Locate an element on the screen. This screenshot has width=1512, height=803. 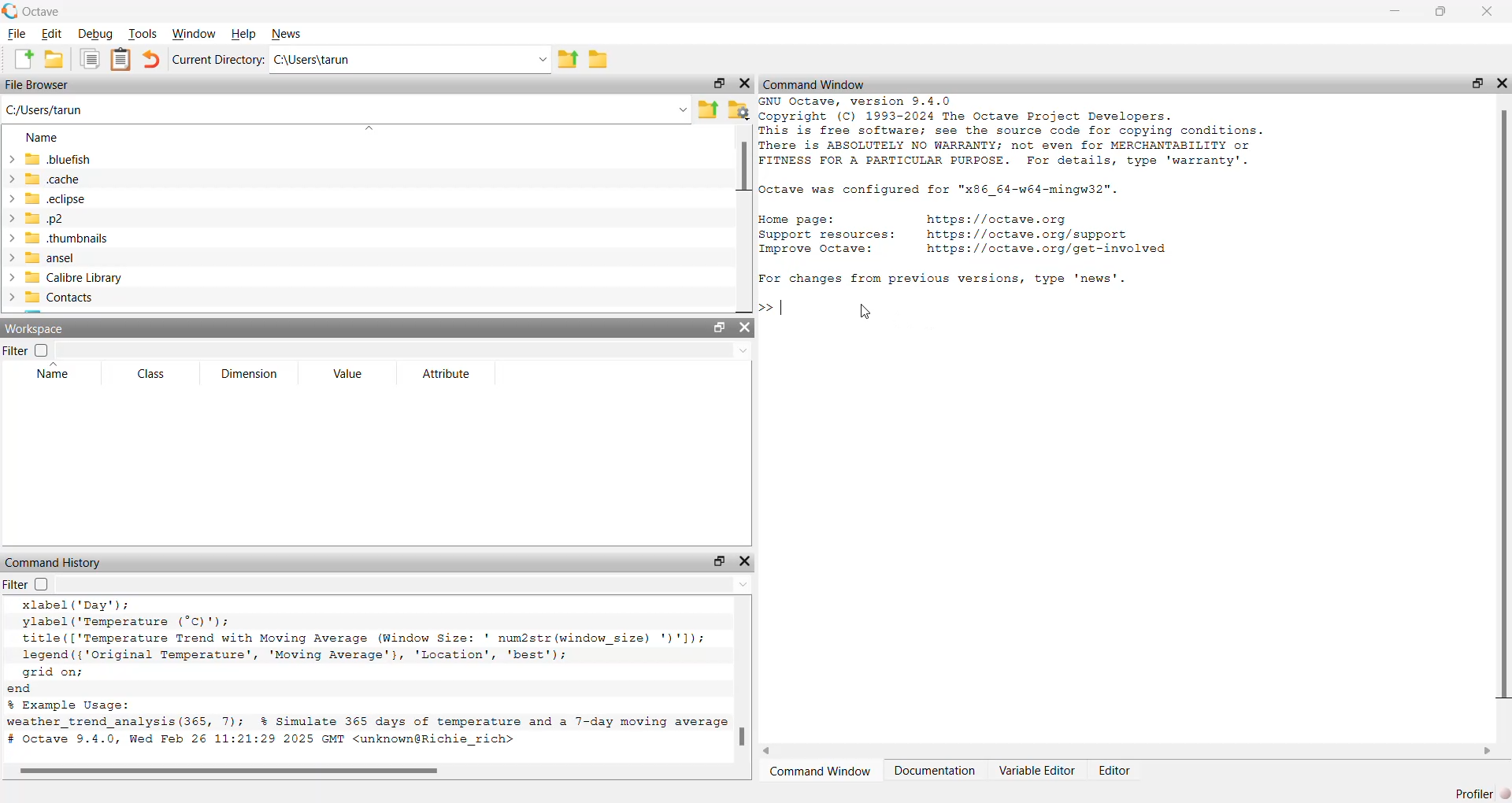
dropdown is located at coordinates (540, 59).